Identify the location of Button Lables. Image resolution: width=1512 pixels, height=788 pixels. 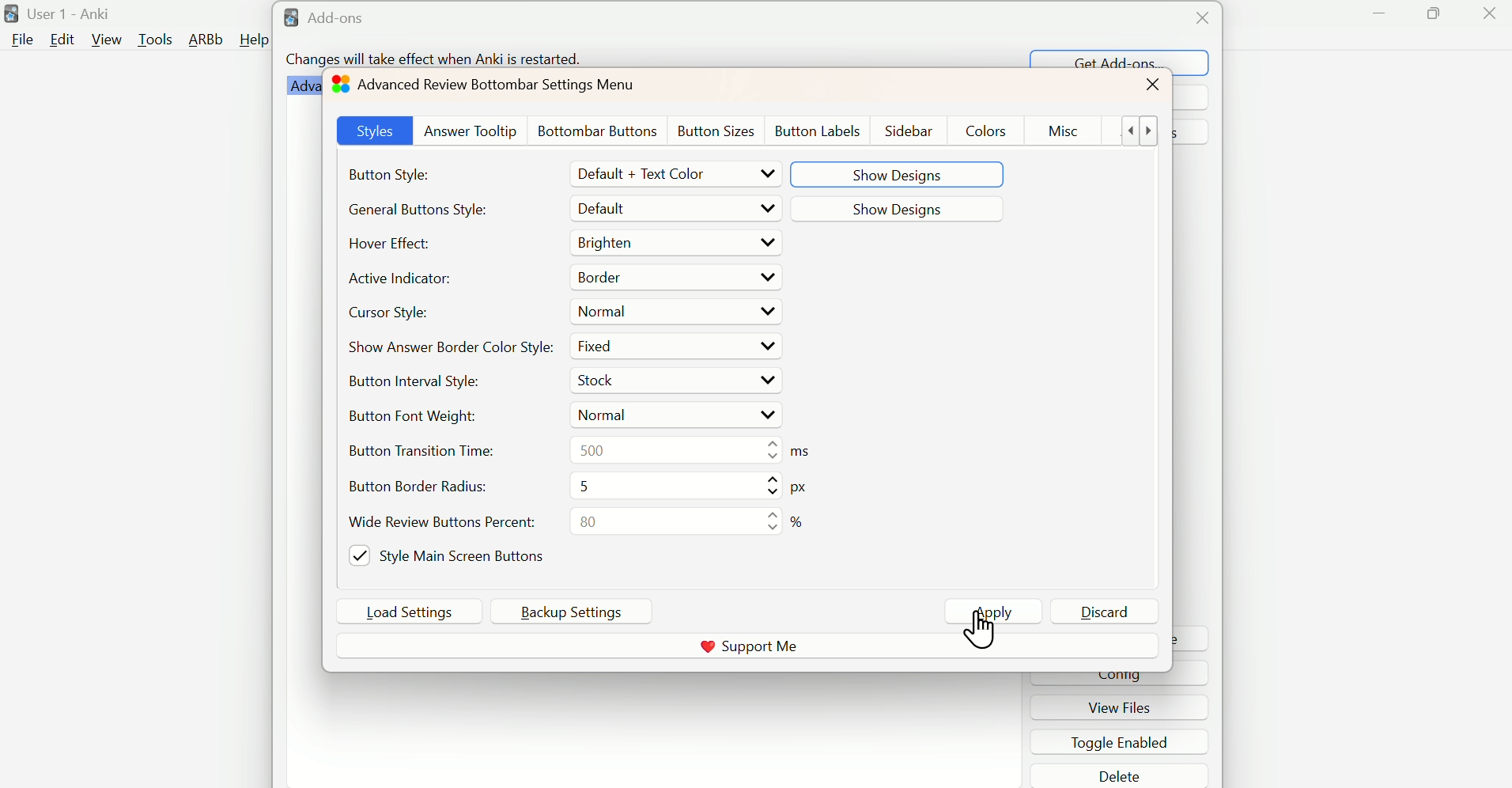
(818, 132).